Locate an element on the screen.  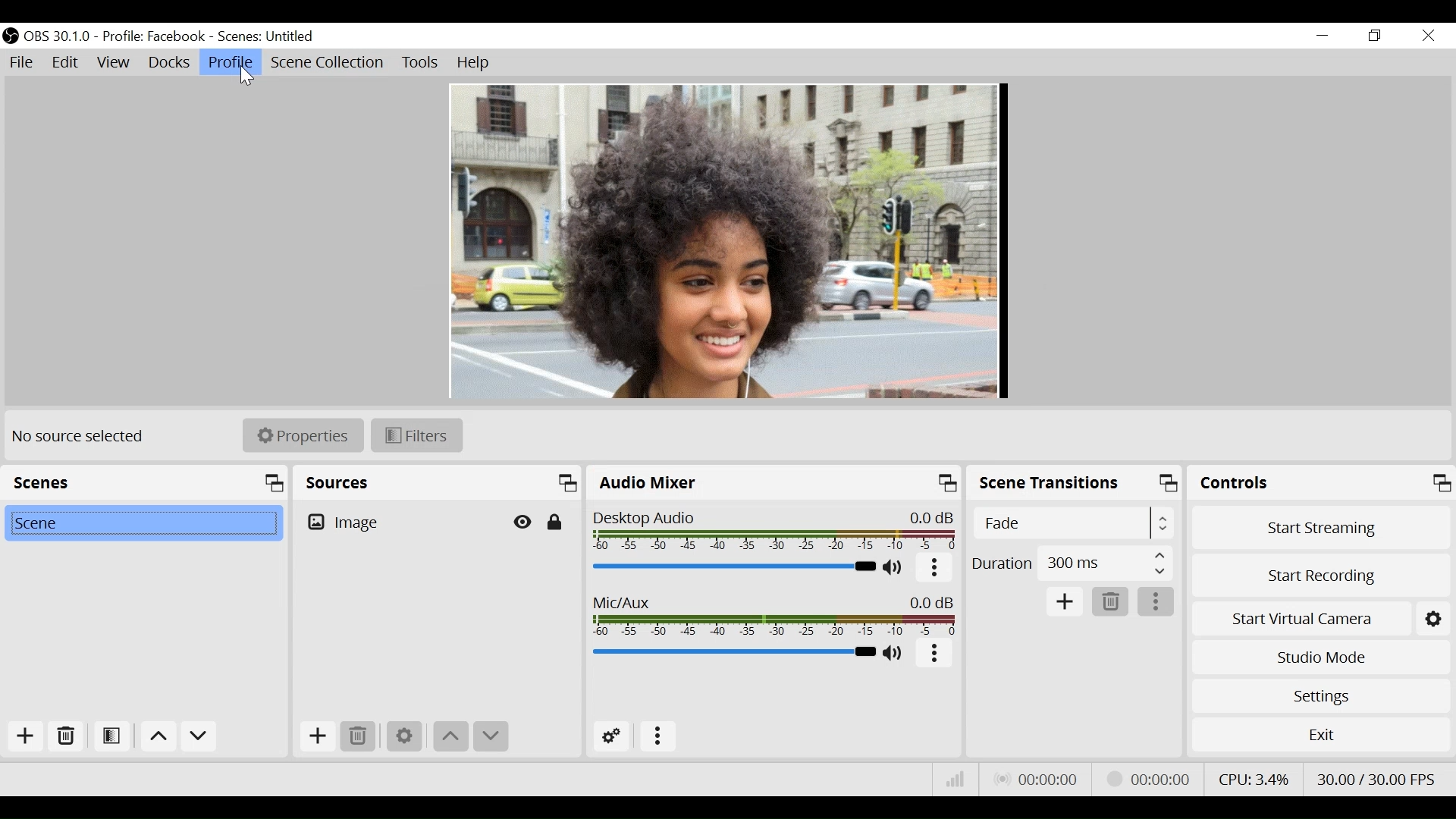
Settings is located at coordinates (403, 737).